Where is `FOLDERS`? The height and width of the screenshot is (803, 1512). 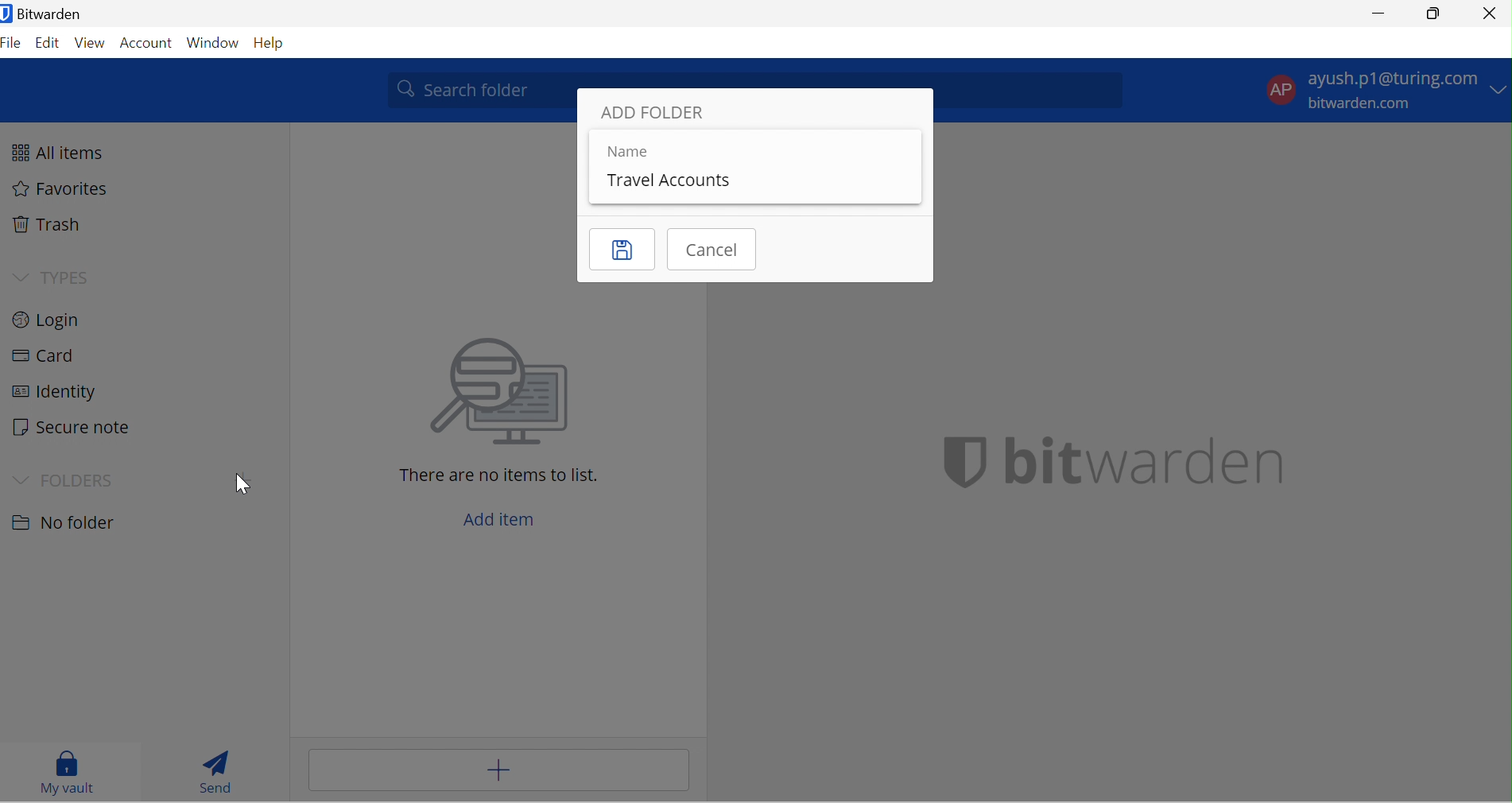
FOLDERS is located at coordinates (79, 479).